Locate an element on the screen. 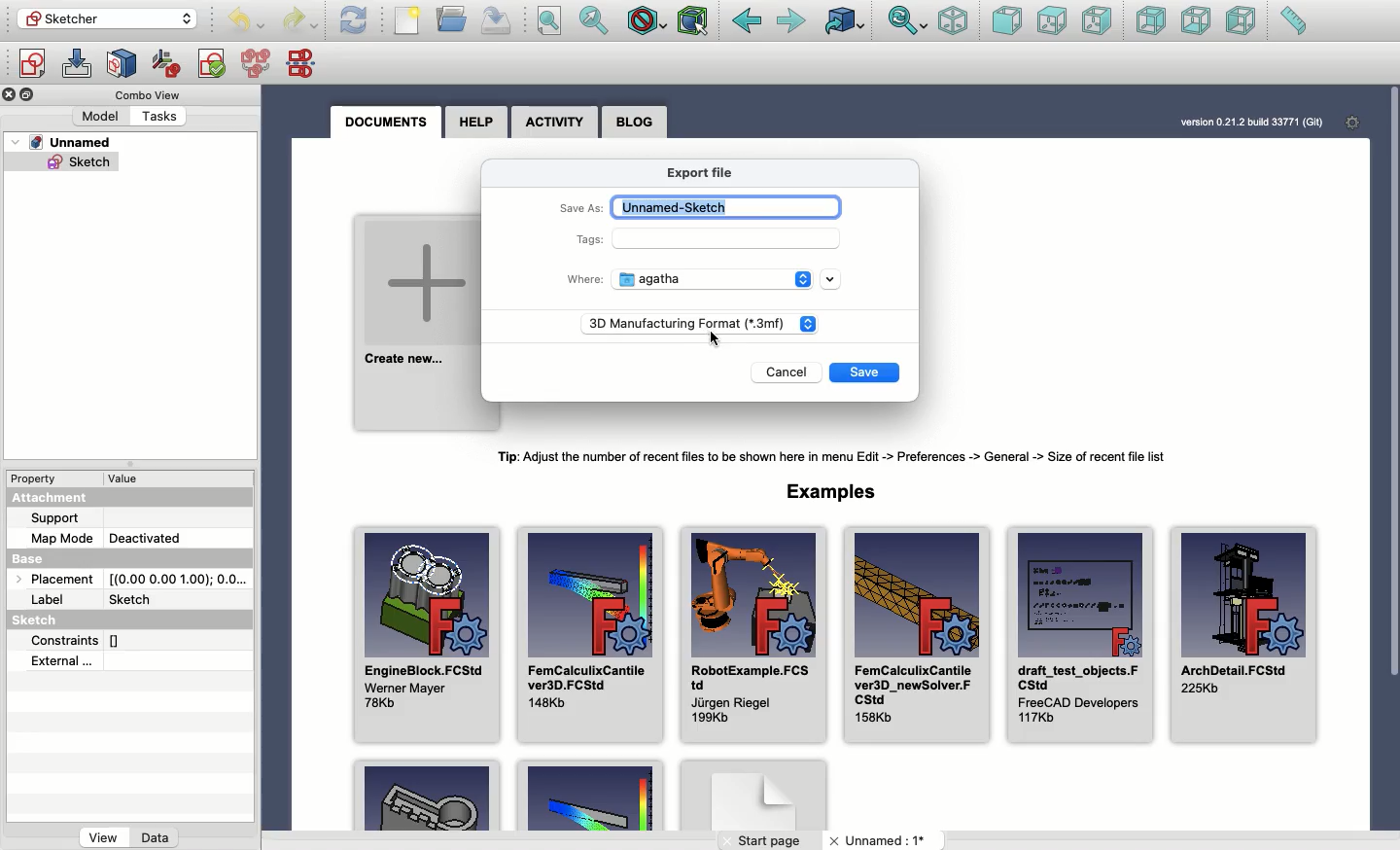 The height and width of the screenshot is (850, 1400). Create sketch is located at coordinates (30, 63).